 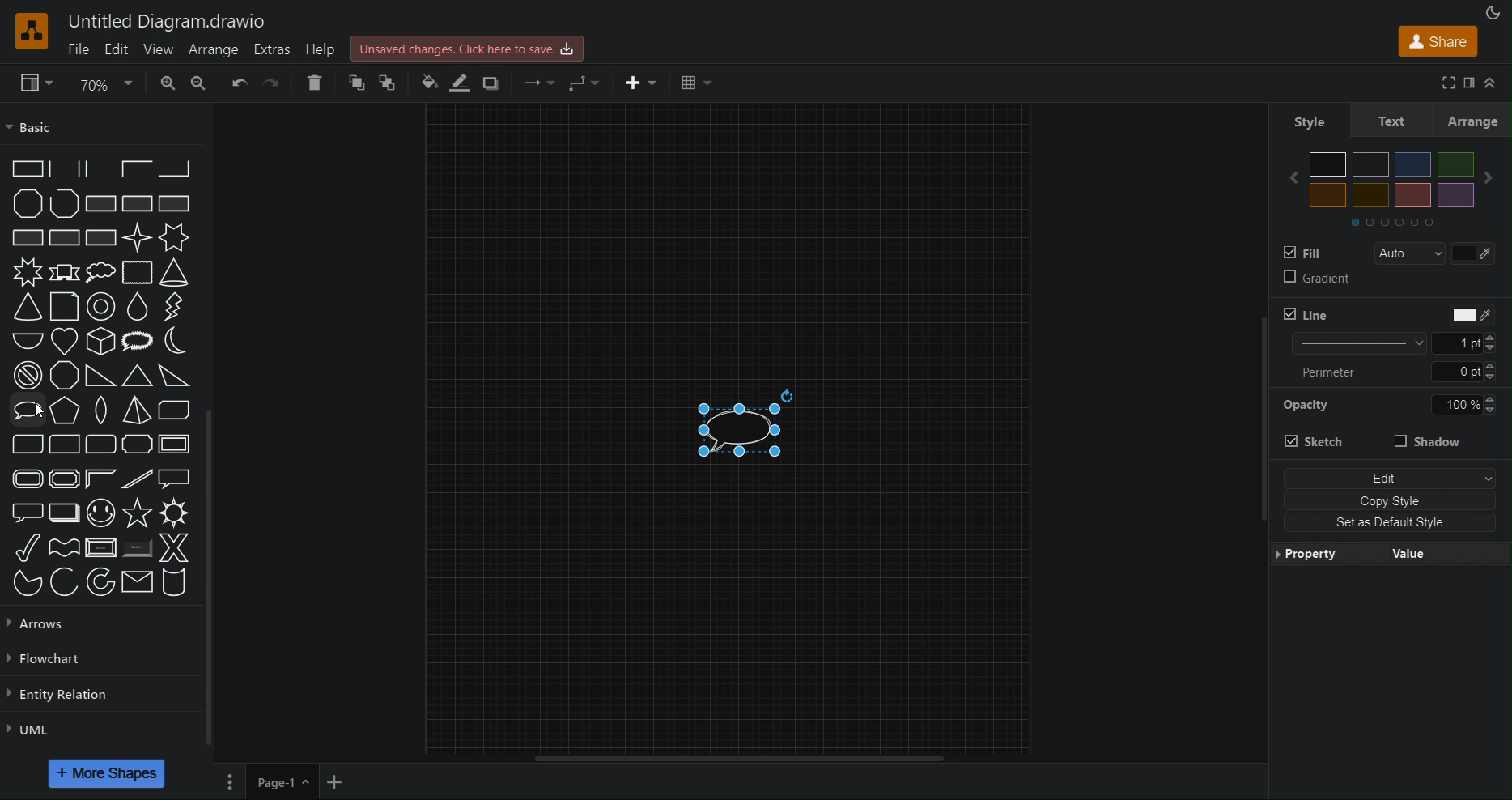 I want to click on Bring to Back, so click(x=389, y=83).